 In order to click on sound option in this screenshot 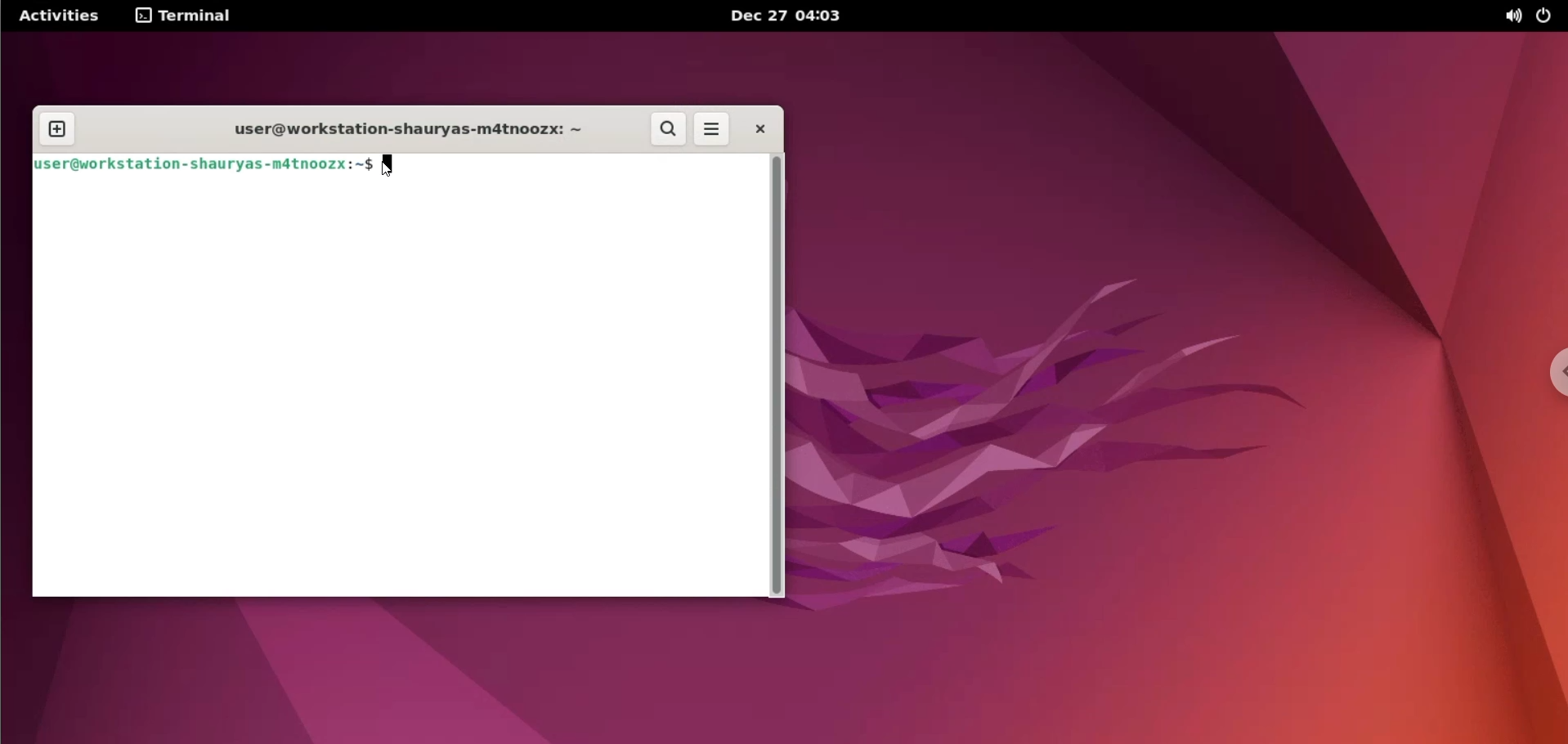, I will do `click(1505, 16)`.